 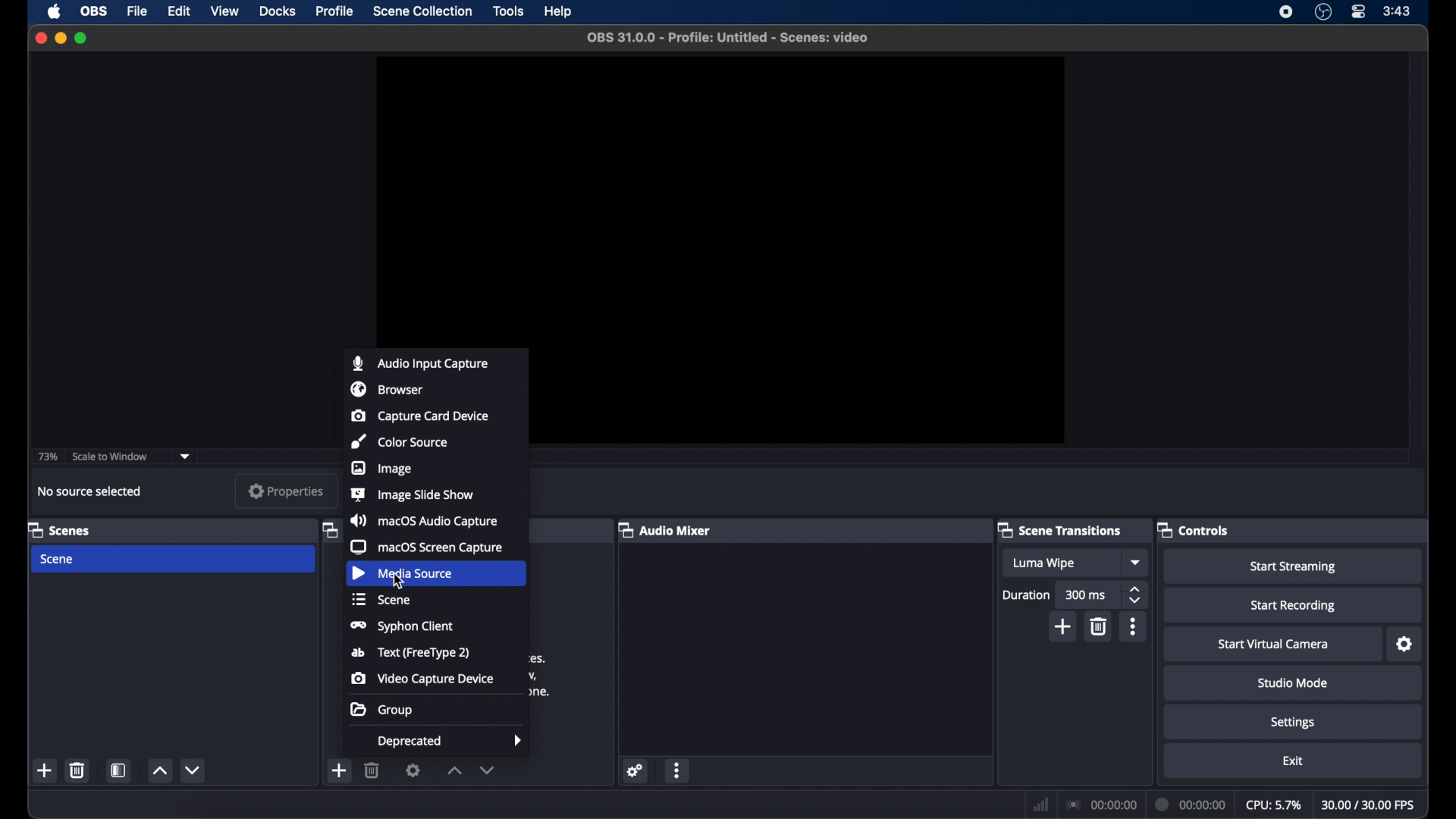 I want to click on add, so click(x=338, y=770).